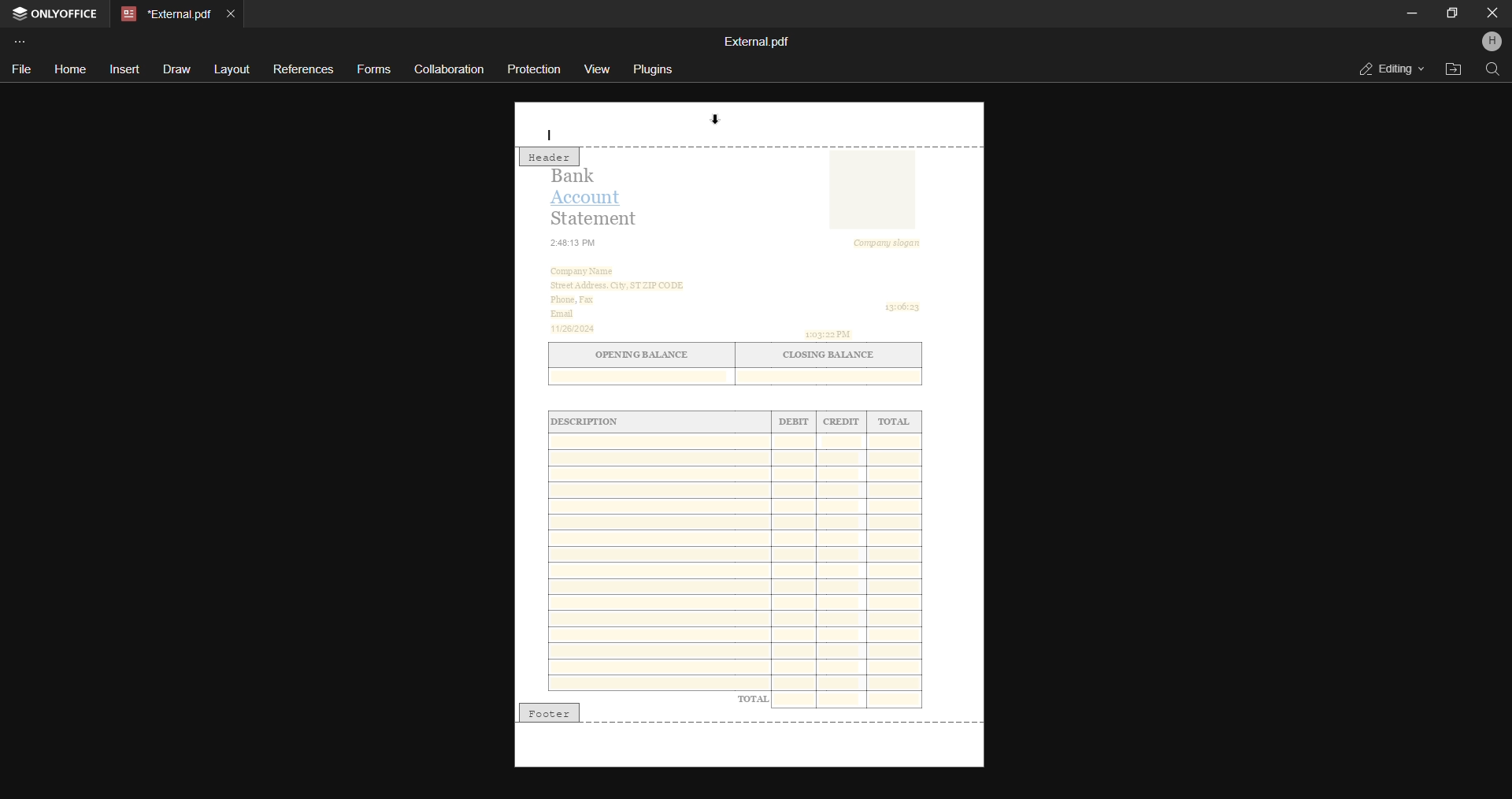  I want to click on plugins, so click(655, 69).